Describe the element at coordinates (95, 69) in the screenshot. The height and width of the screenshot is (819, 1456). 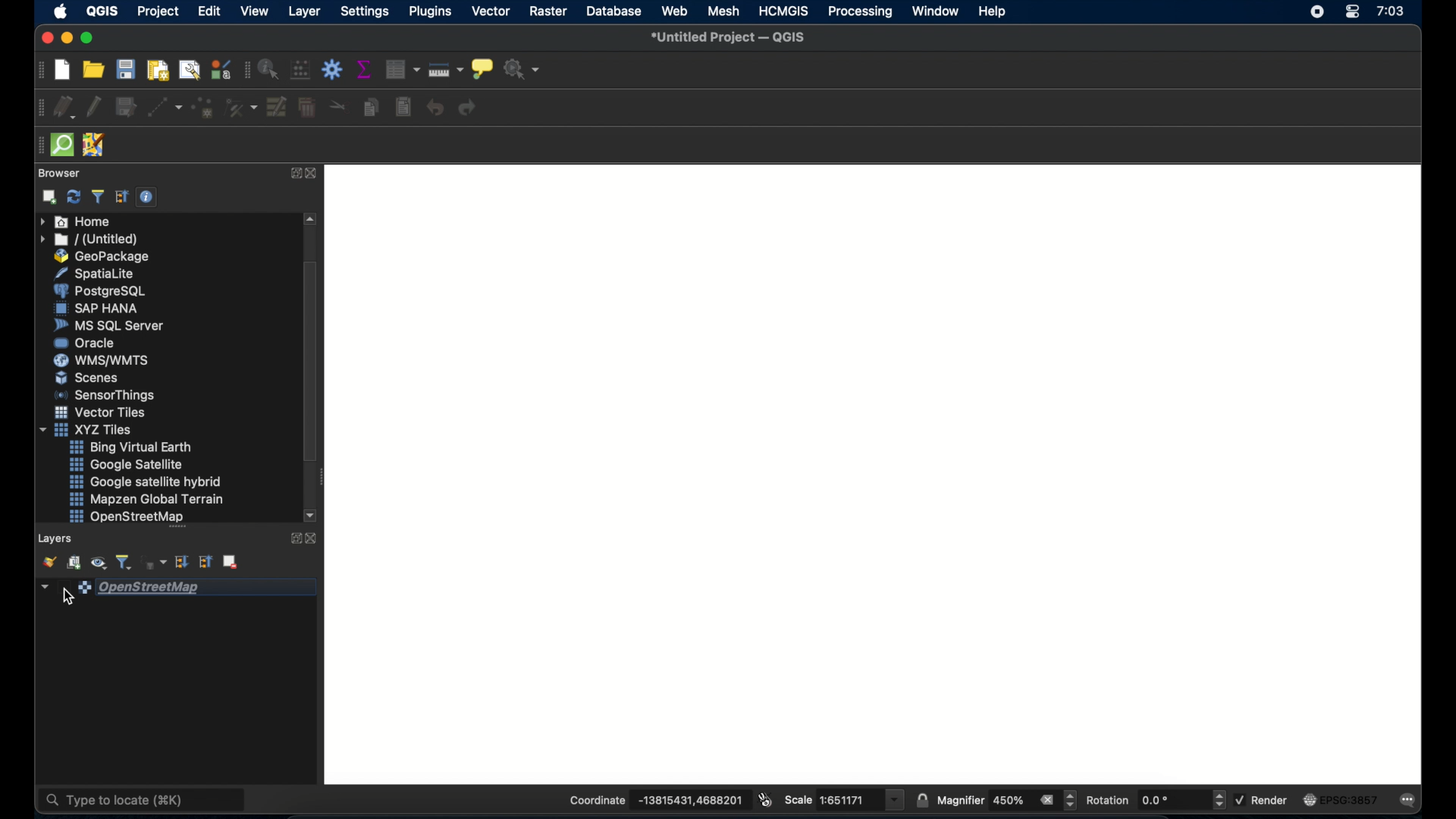
I see `open project` at that location.